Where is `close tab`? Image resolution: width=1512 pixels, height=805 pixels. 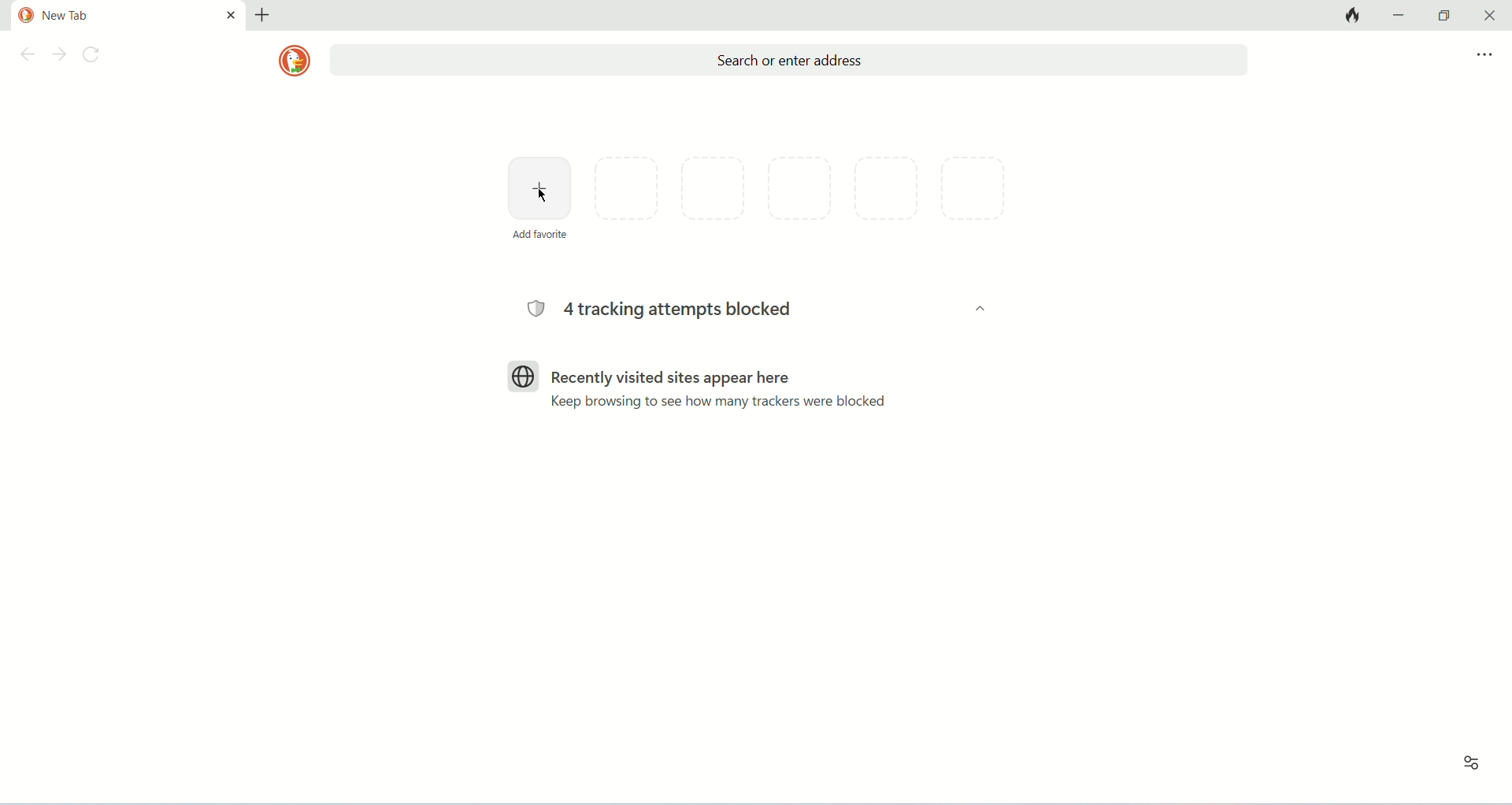
close tab is located at coordinates (231, 14).